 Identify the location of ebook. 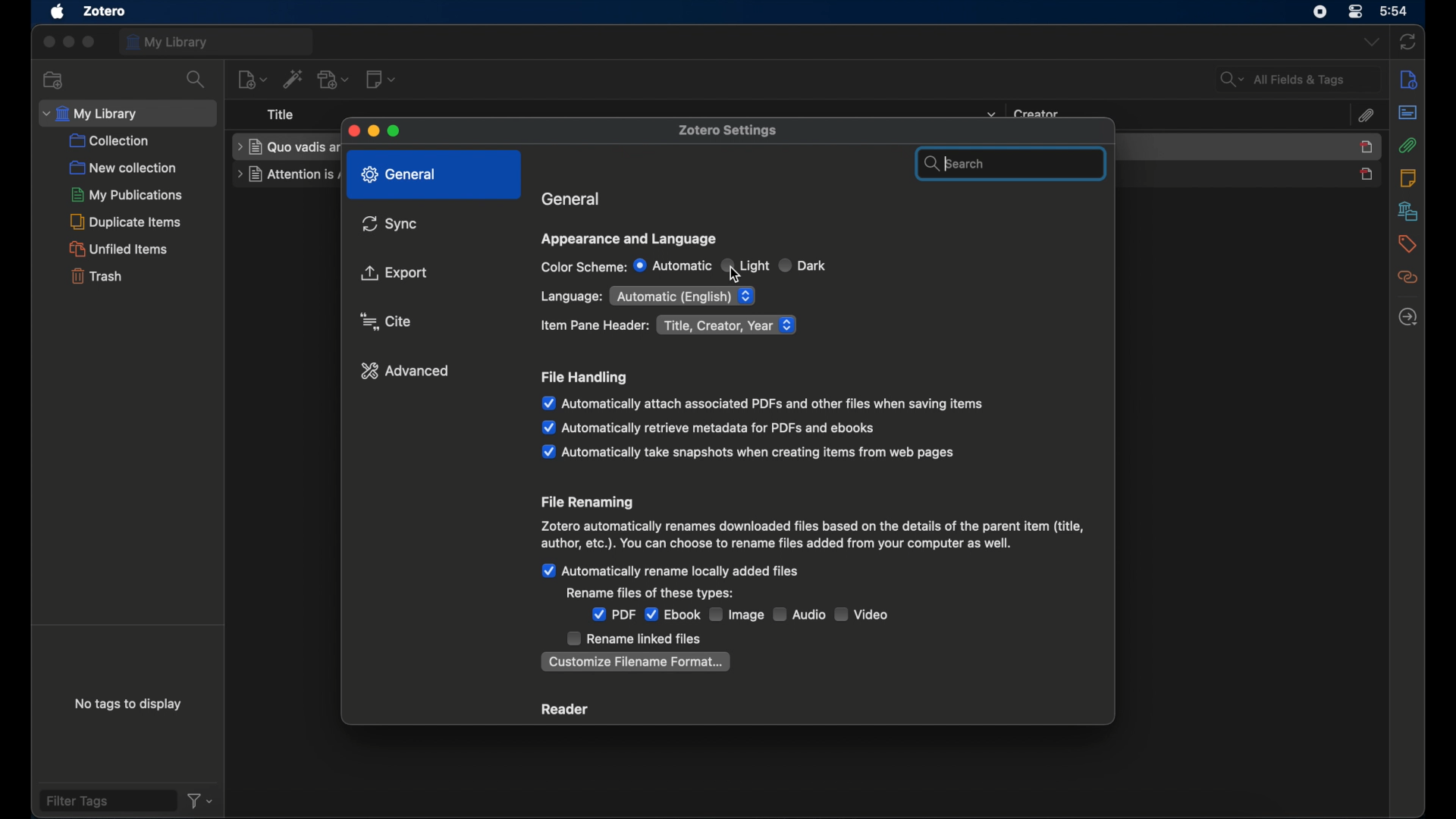
(673, 615).